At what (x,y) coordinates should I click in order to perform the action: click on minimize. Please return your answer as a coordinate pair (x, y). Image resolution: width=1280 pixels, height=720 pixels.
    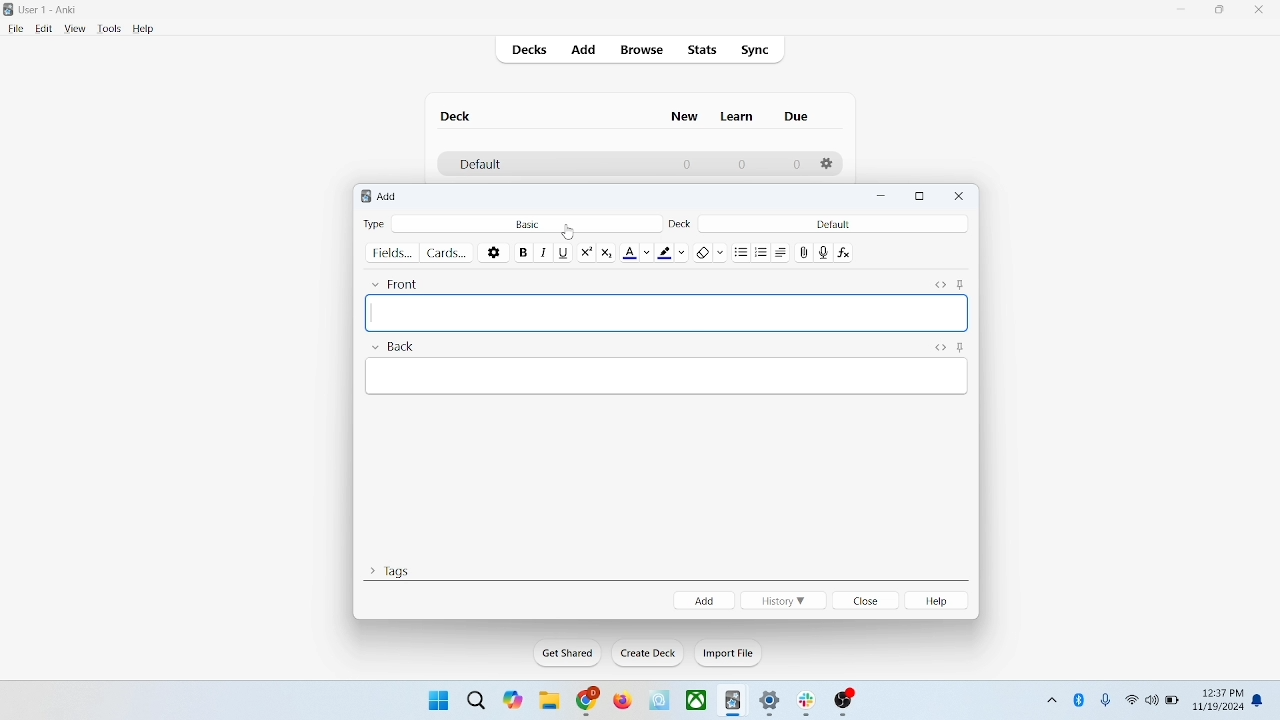
    Looking at the image, I should click on (884, 197).